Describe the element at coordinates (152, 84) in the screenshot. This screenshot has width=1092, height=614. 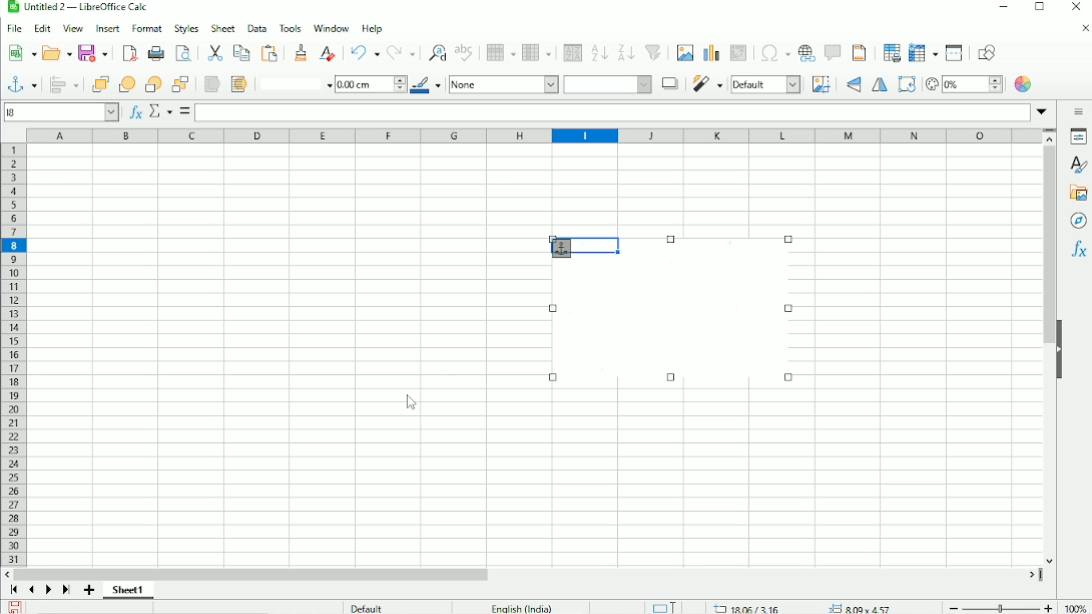
I see `back one` at that location.